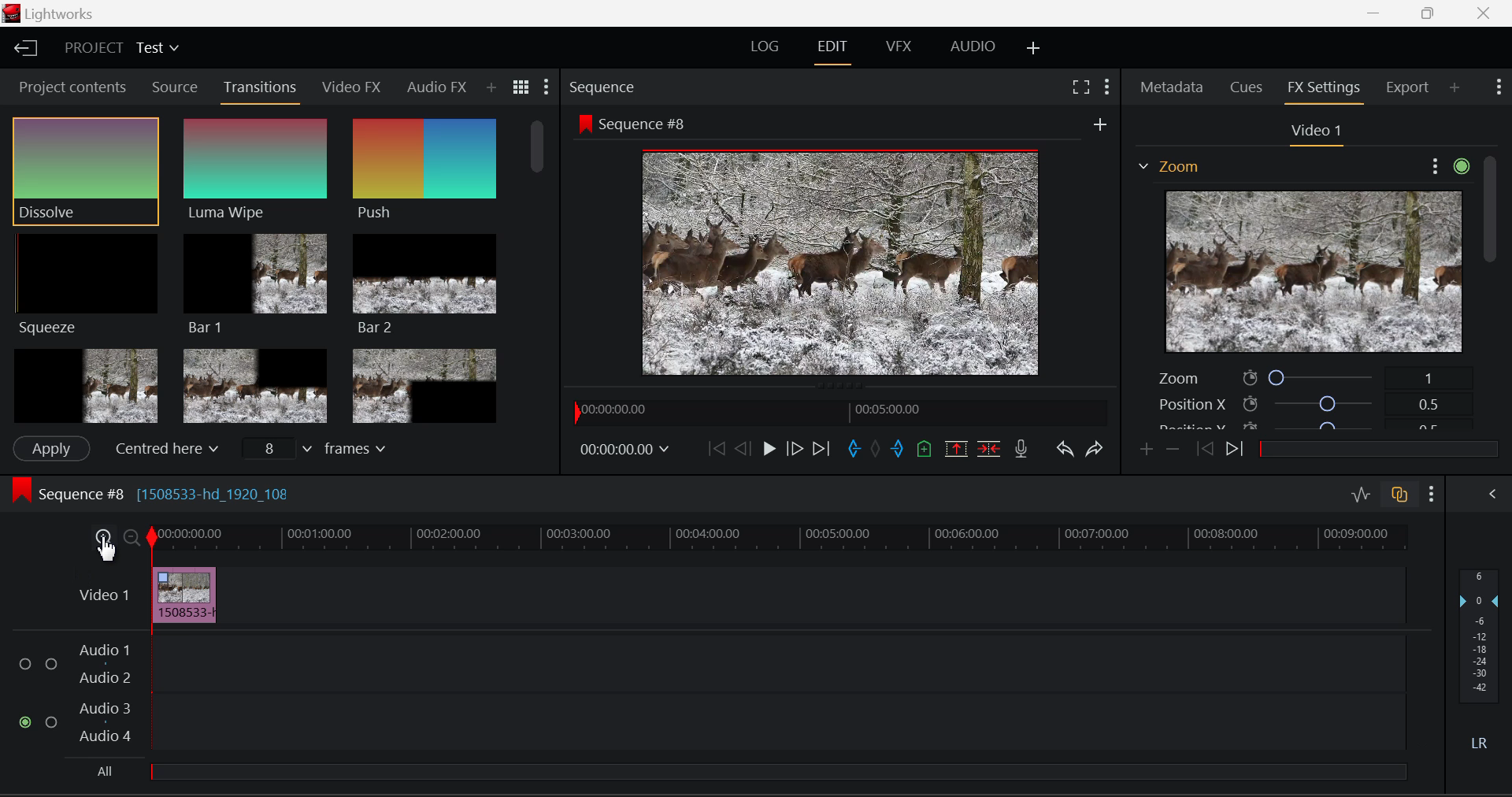 The width and height of the screenshot is (1512, 797). What do you see at coordinates (24, 721) in the screenshot?
I see `Audio Input Checkbox` at bounding box center [24, 721].